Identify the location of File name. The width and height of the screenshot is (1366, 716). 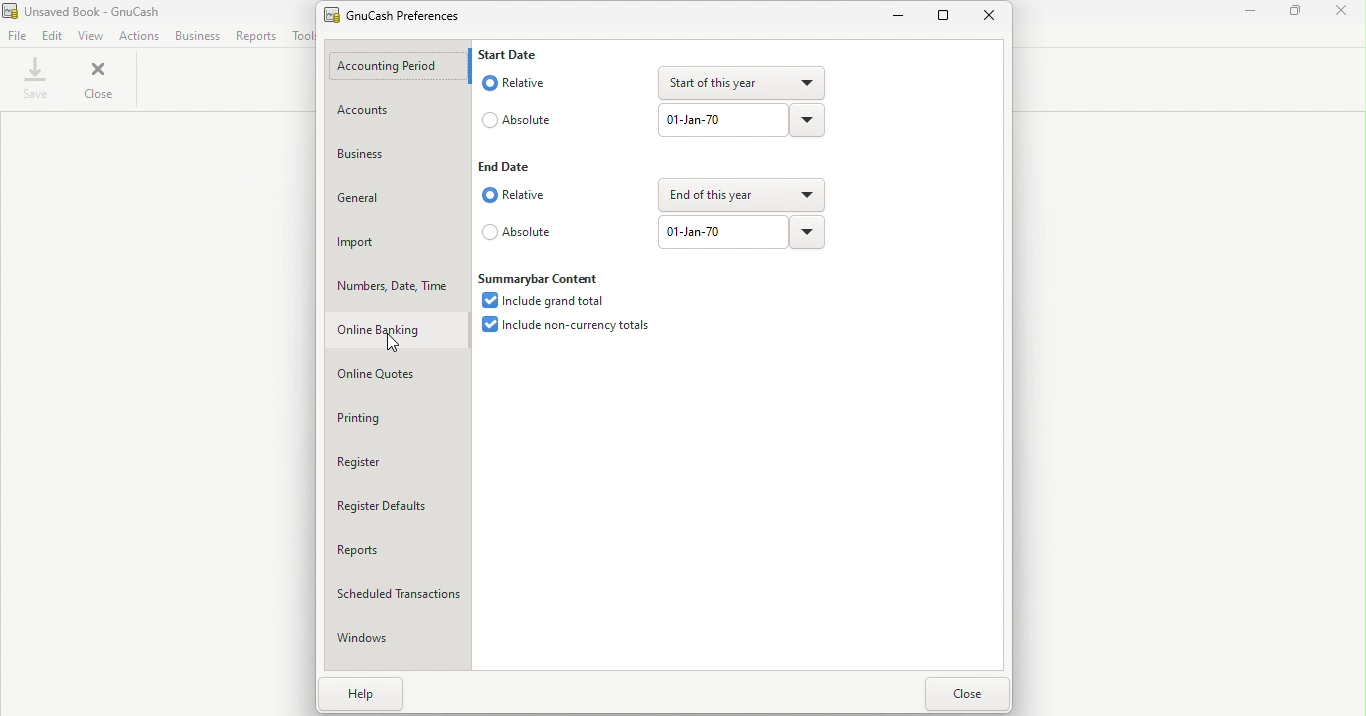
(93, 10).